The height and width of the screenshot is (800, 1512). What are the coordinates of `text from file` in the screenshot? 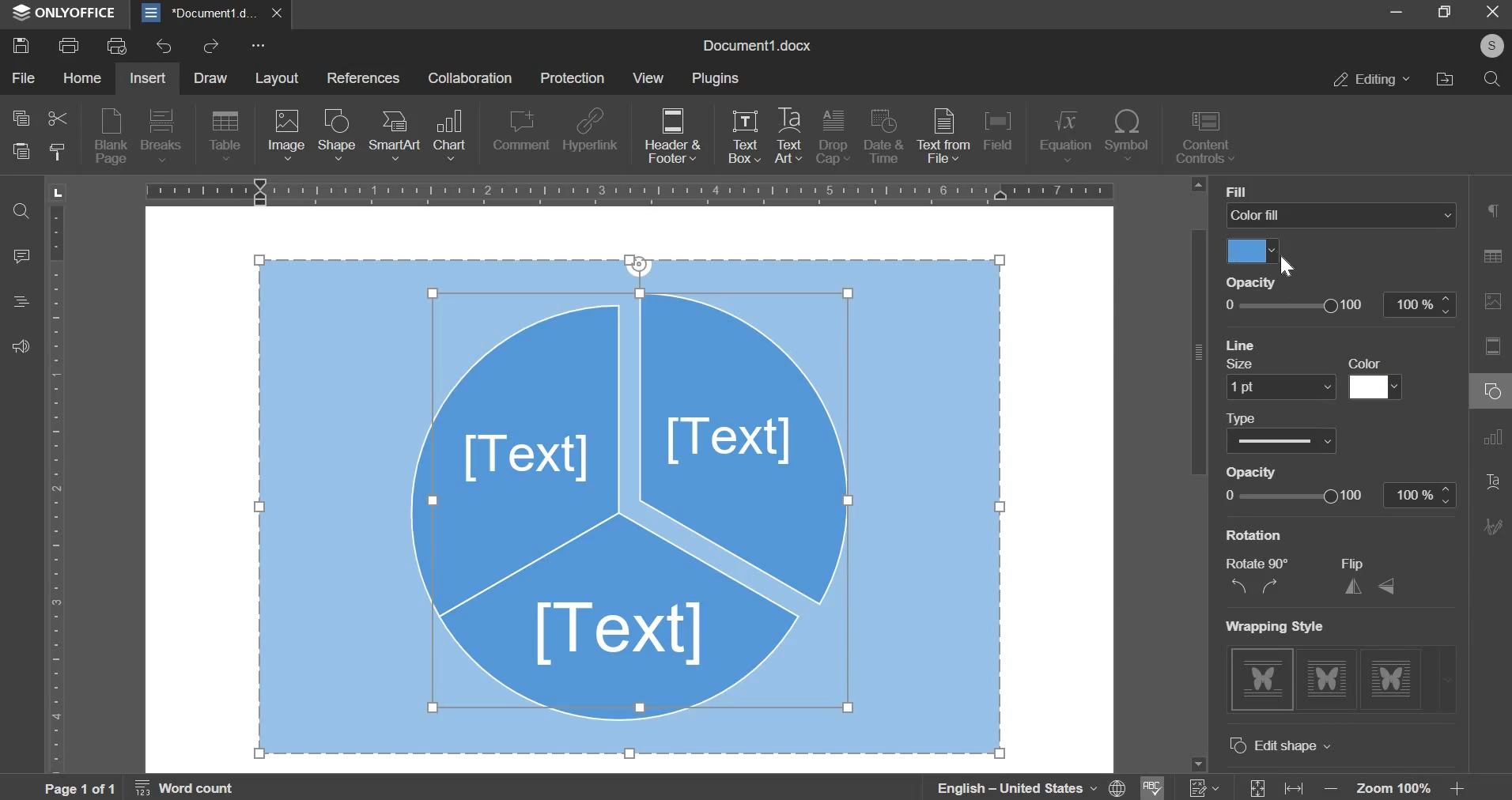 It's located at (943, 136).